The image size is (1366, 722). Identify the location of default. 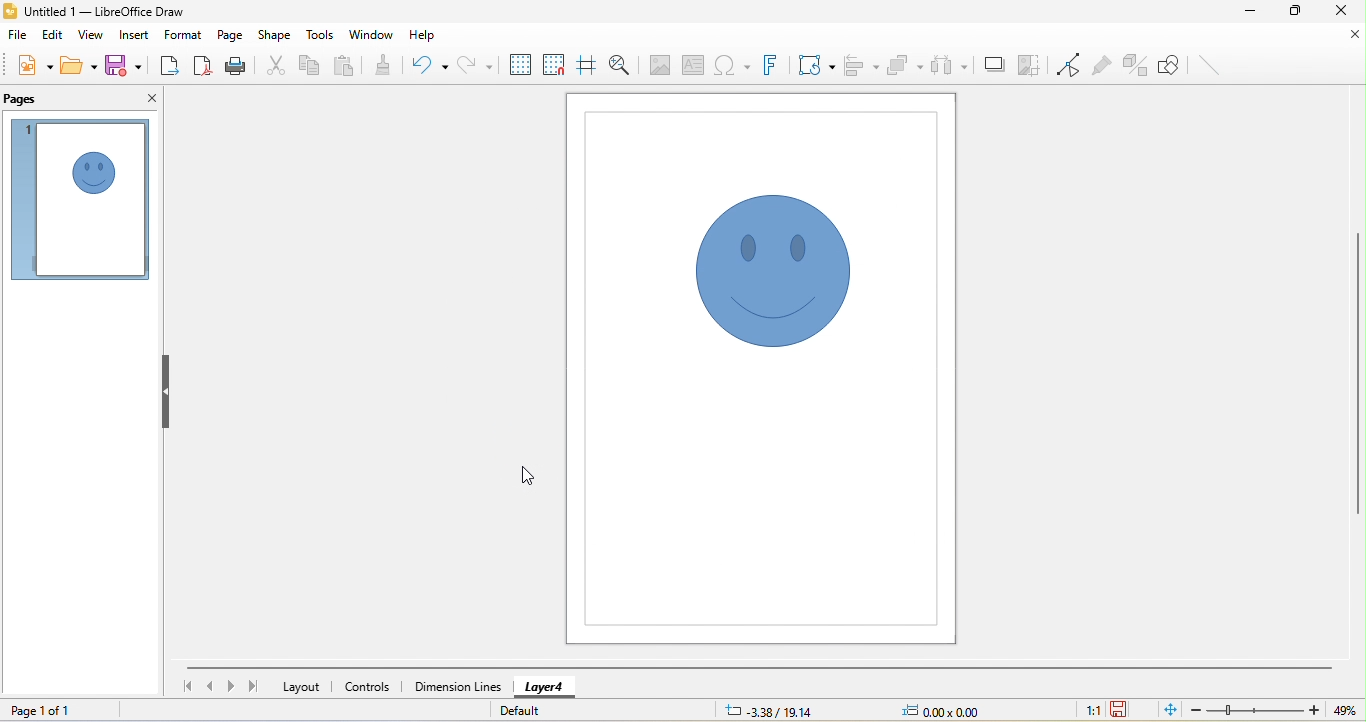
(526, 710).